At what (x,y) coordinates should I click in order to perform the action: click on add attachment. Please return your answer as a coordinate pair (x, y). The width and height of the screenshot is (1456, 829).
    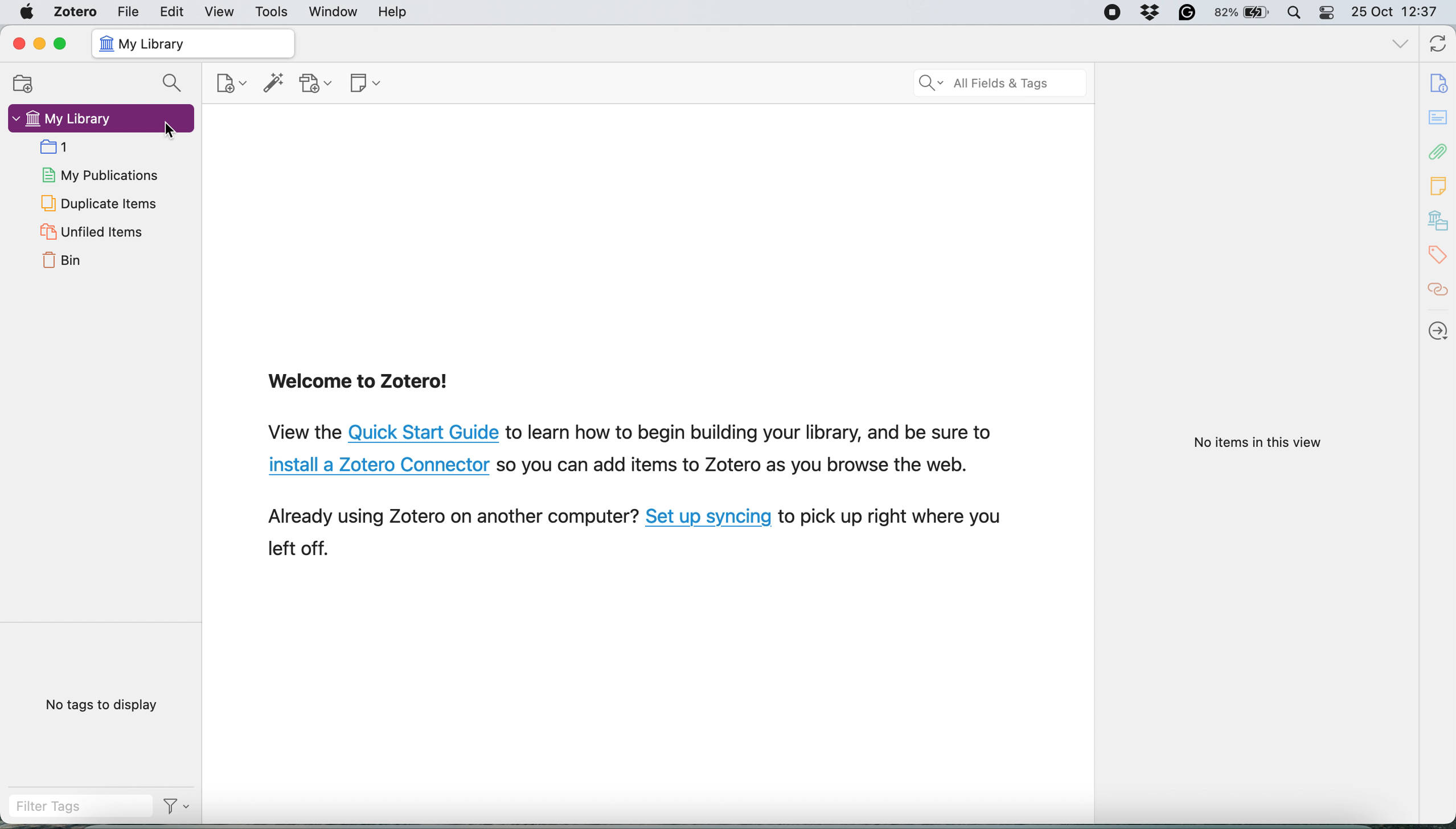
    Looking at the image, I should click on (318, 83).